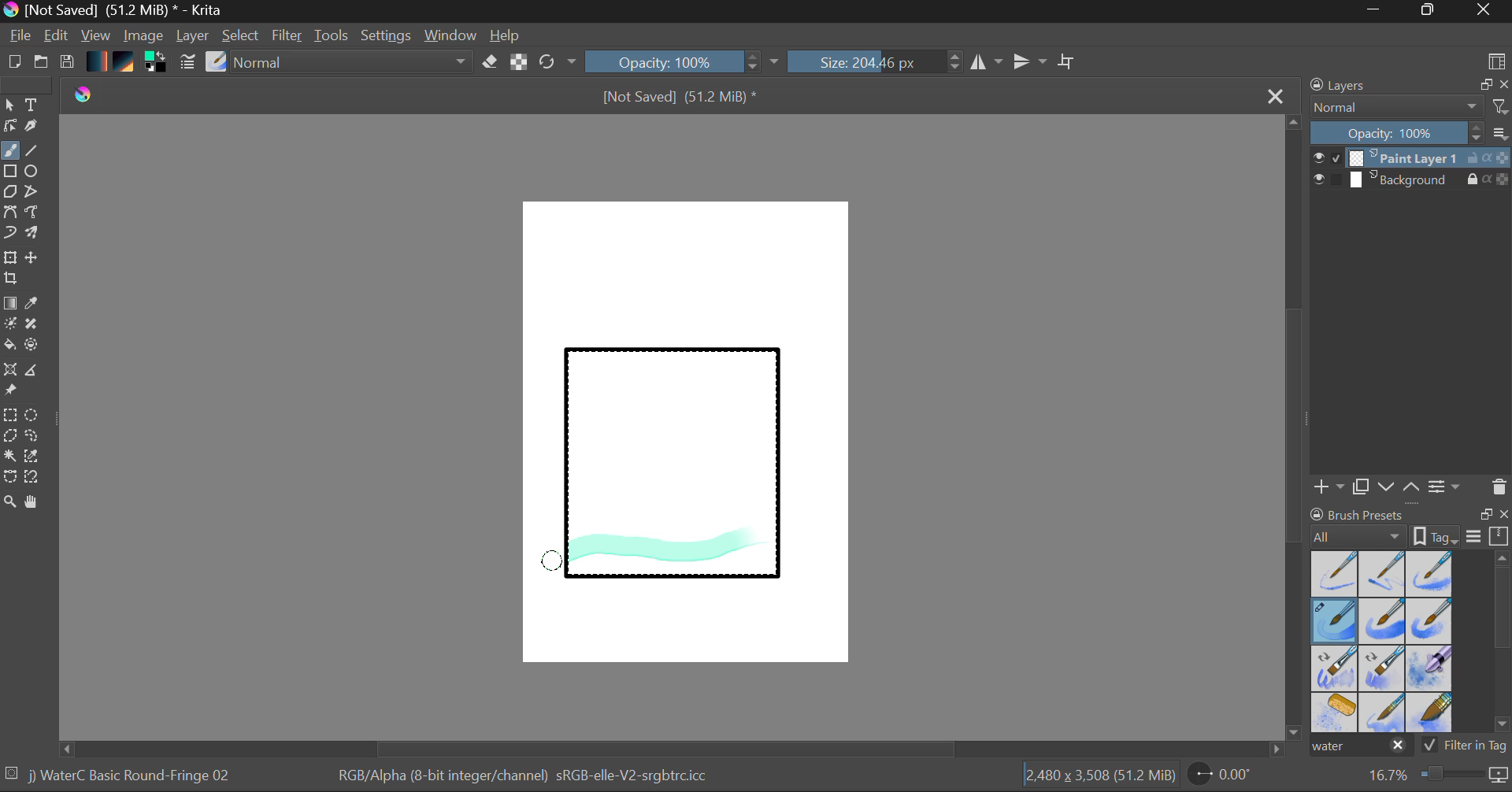 The image size is (1512, 792). What do you see at coordinates (35, 416) in the screenshot?
I see `Elipses Selection tool` at bounding box center [35, 416].